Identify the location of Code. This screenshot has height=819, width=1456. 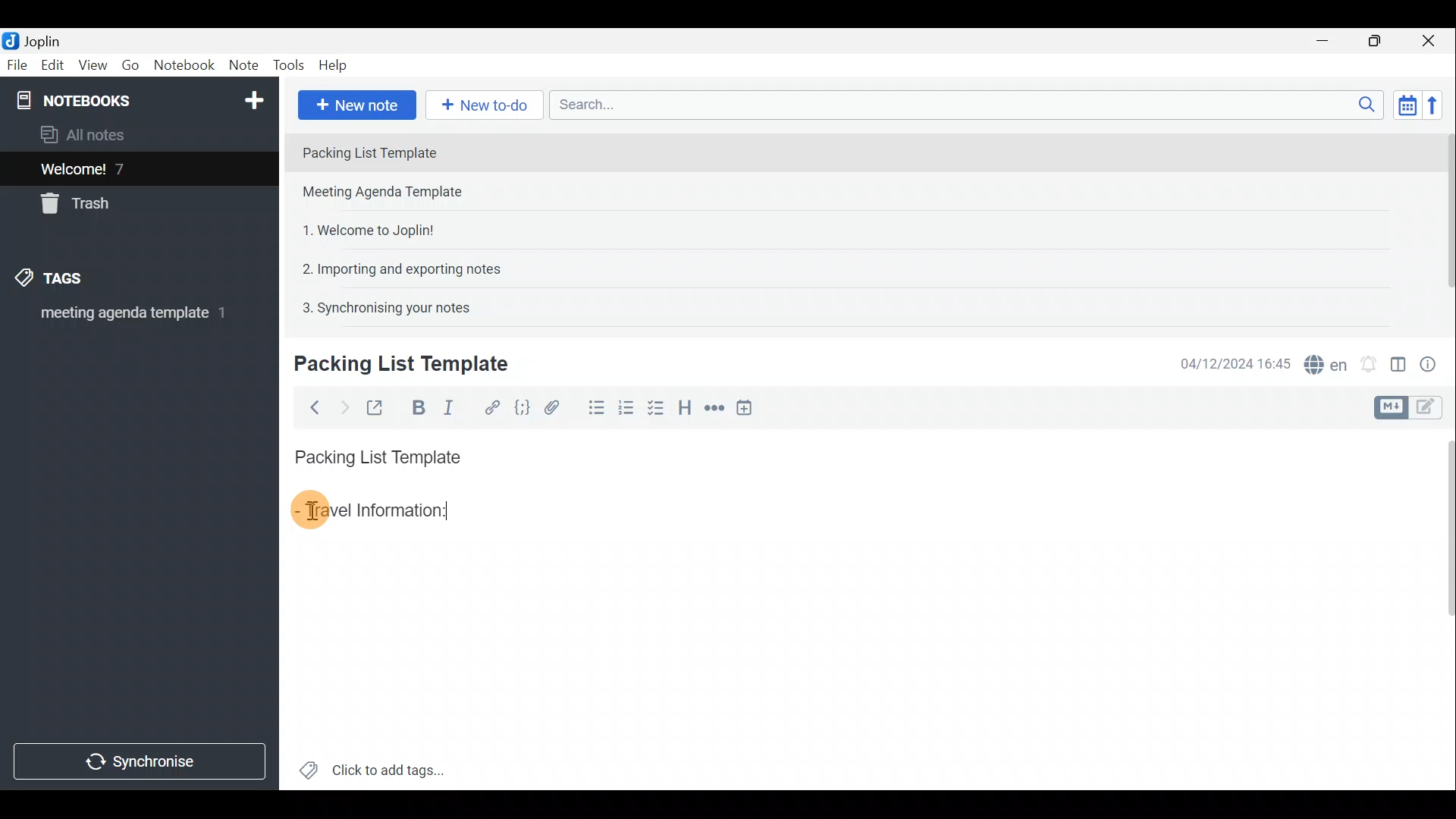
(522, 406).